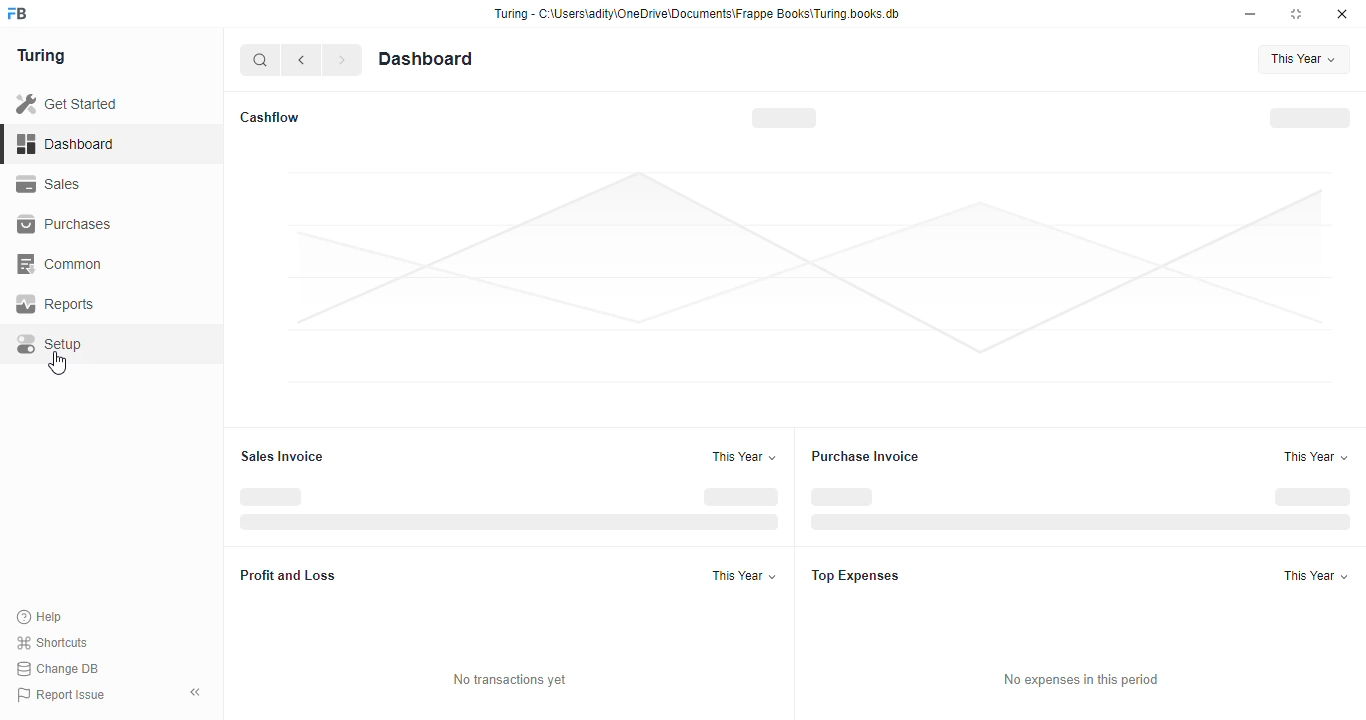 Image resolution: width=1366 pixels, height=720 pixels. Describe the element at coordinates (854, 576) in the screenshot. I see `Top Expenses` at that location.